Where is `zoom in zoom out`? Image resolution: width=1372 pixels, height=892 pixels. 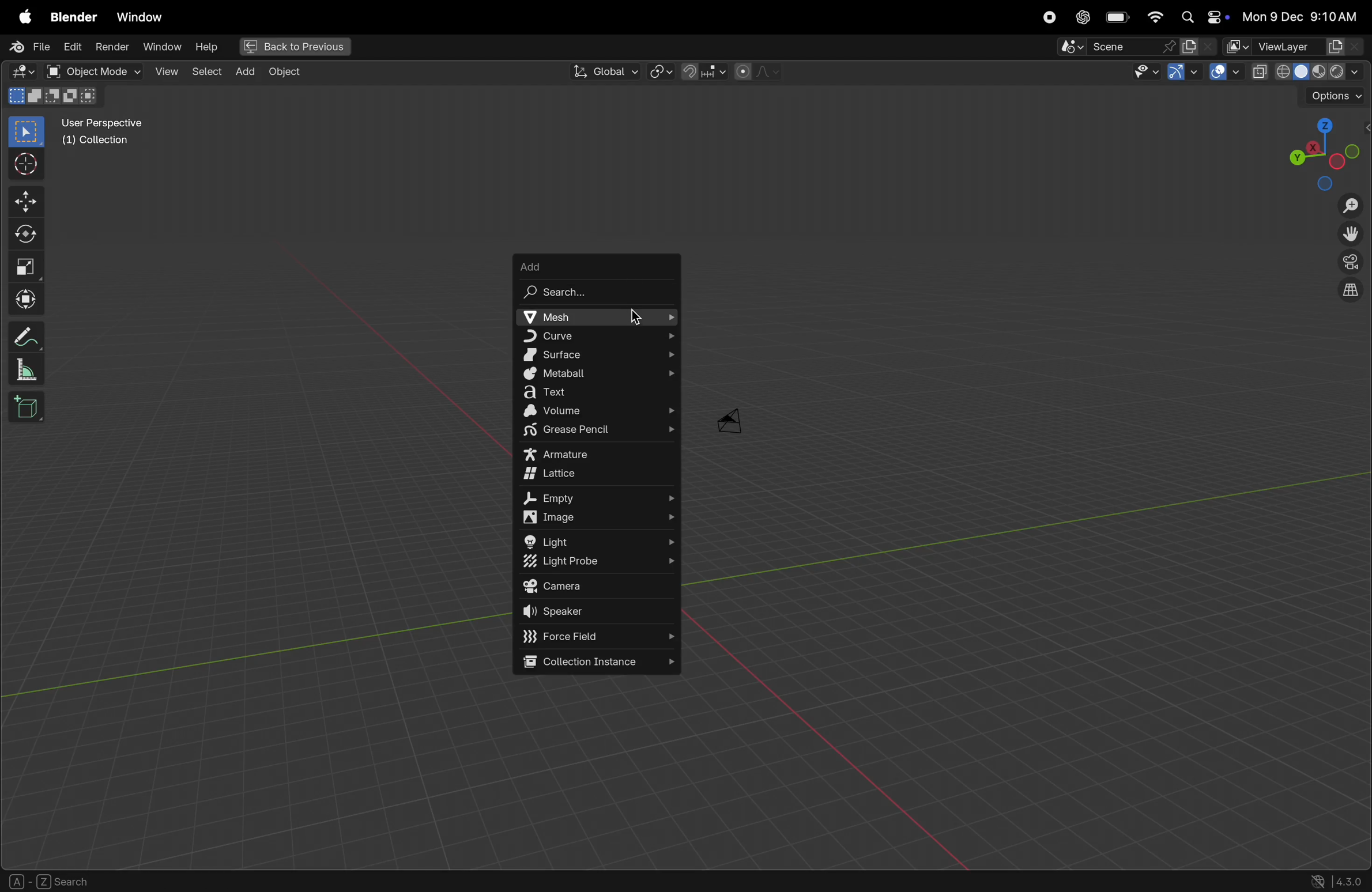 zoom in zoom out is located at coordinates (1354, 206).